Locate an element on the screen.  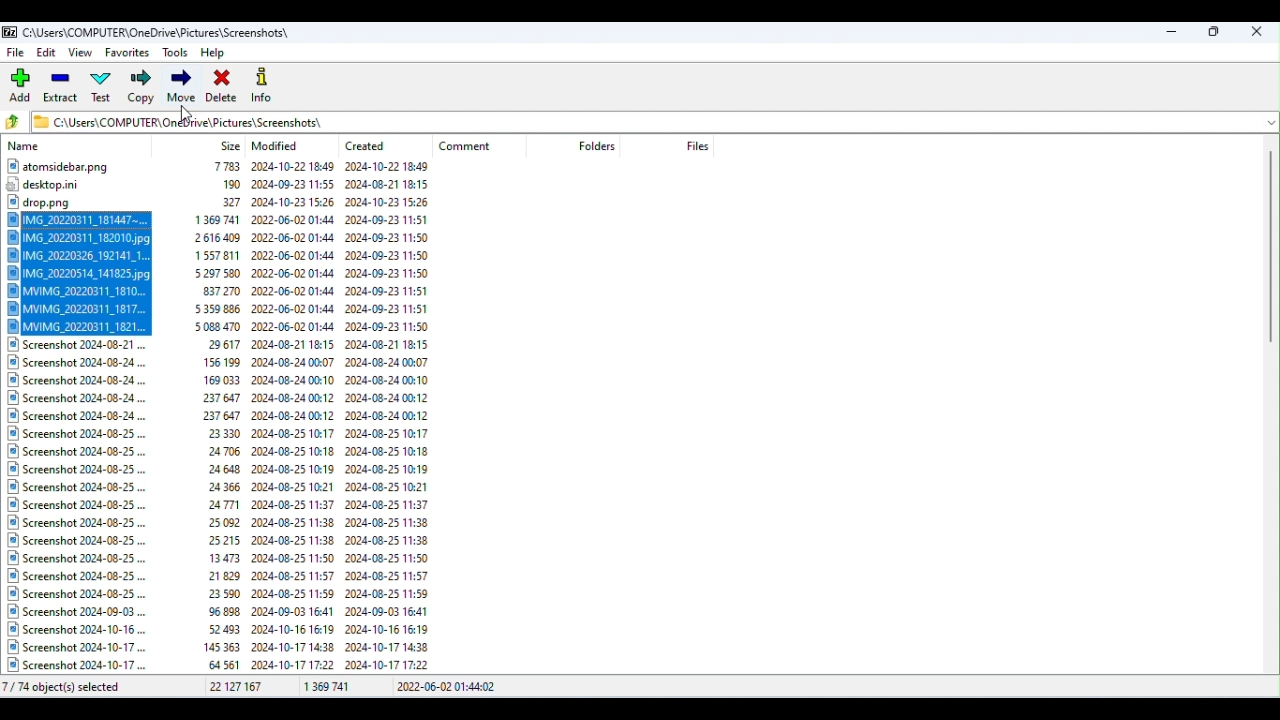
Minimize is located at coordinates (1174, 30).